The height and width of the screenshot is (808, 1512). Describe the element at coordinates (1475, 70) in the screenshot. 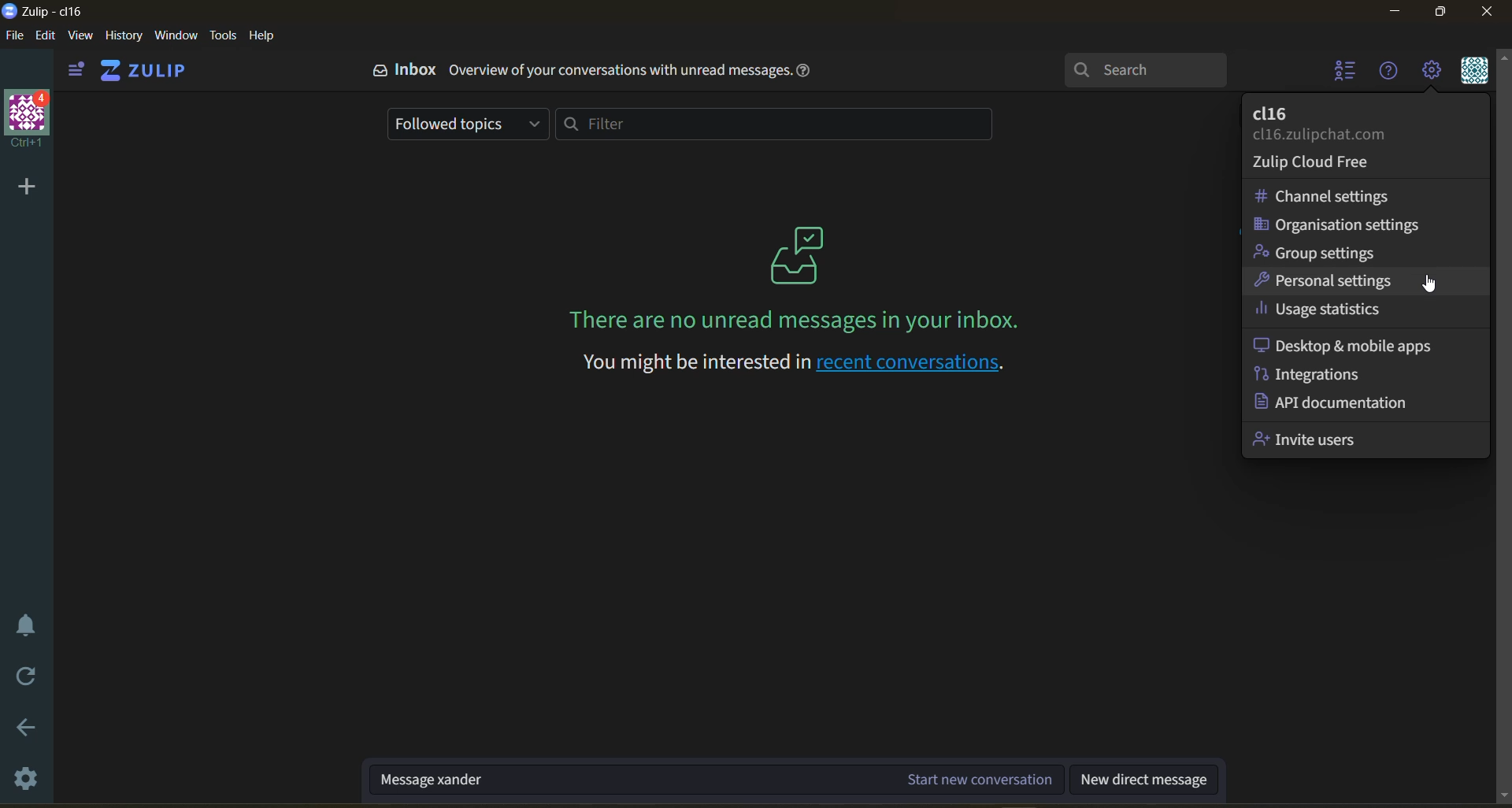

I see `personal menu` at that location.